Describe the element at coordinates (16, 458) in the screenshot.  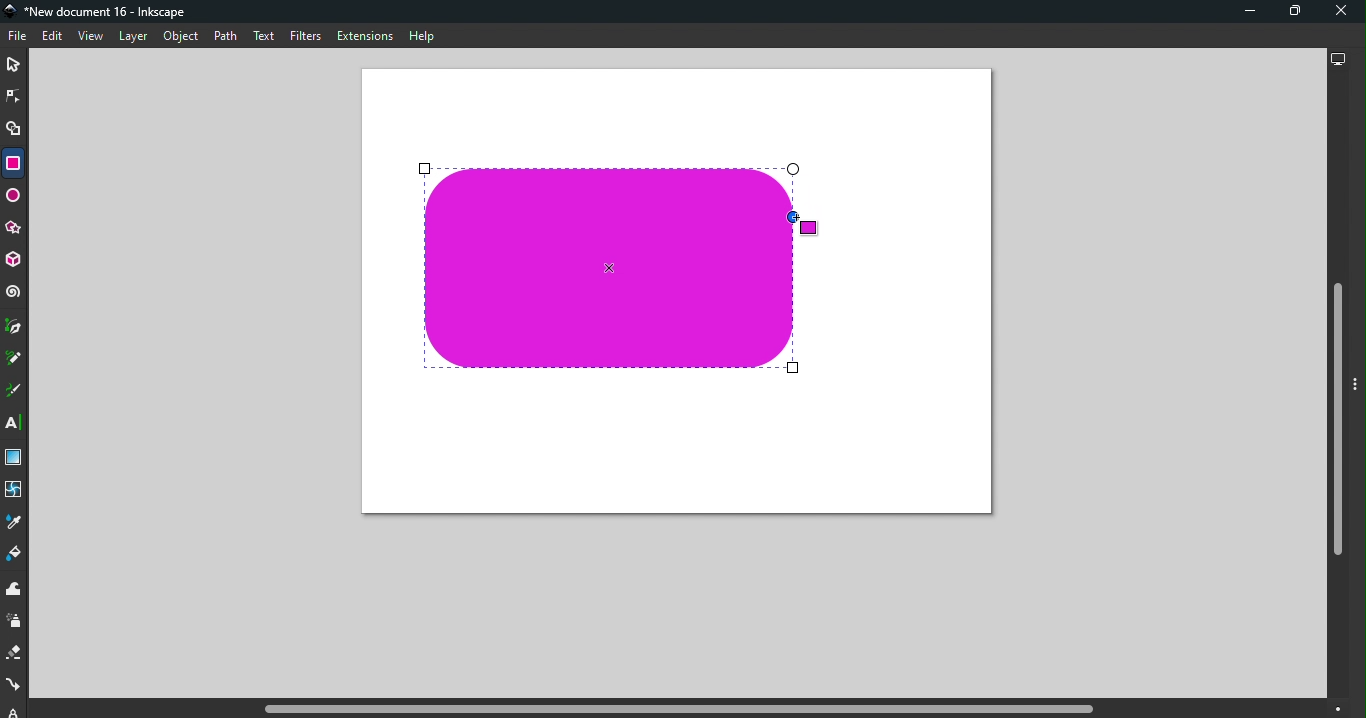
I see `Gradient tool` at that location.